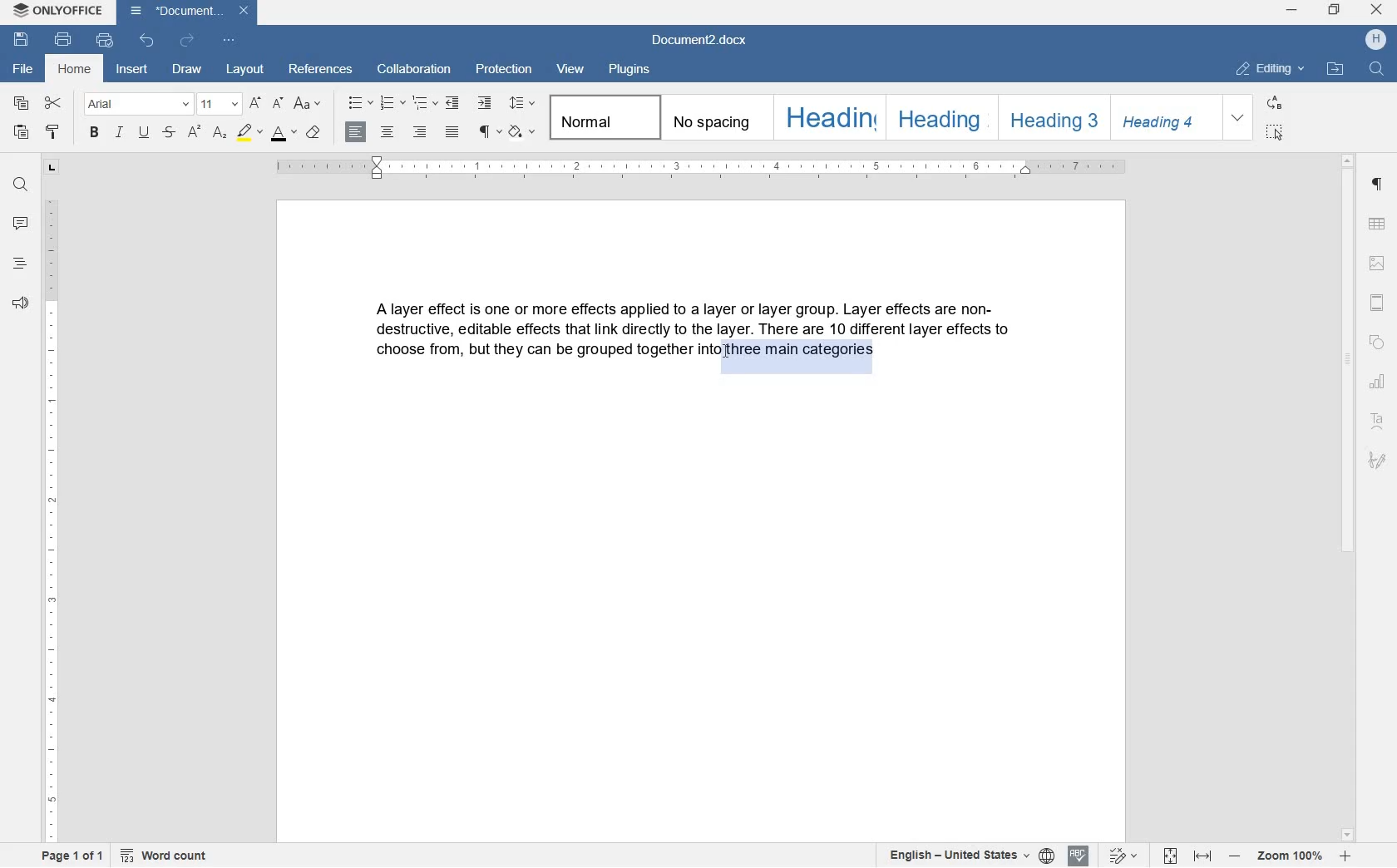 This screenshot has height=868, width=1397. I want to click on scrollbar, so click(1348, 496).